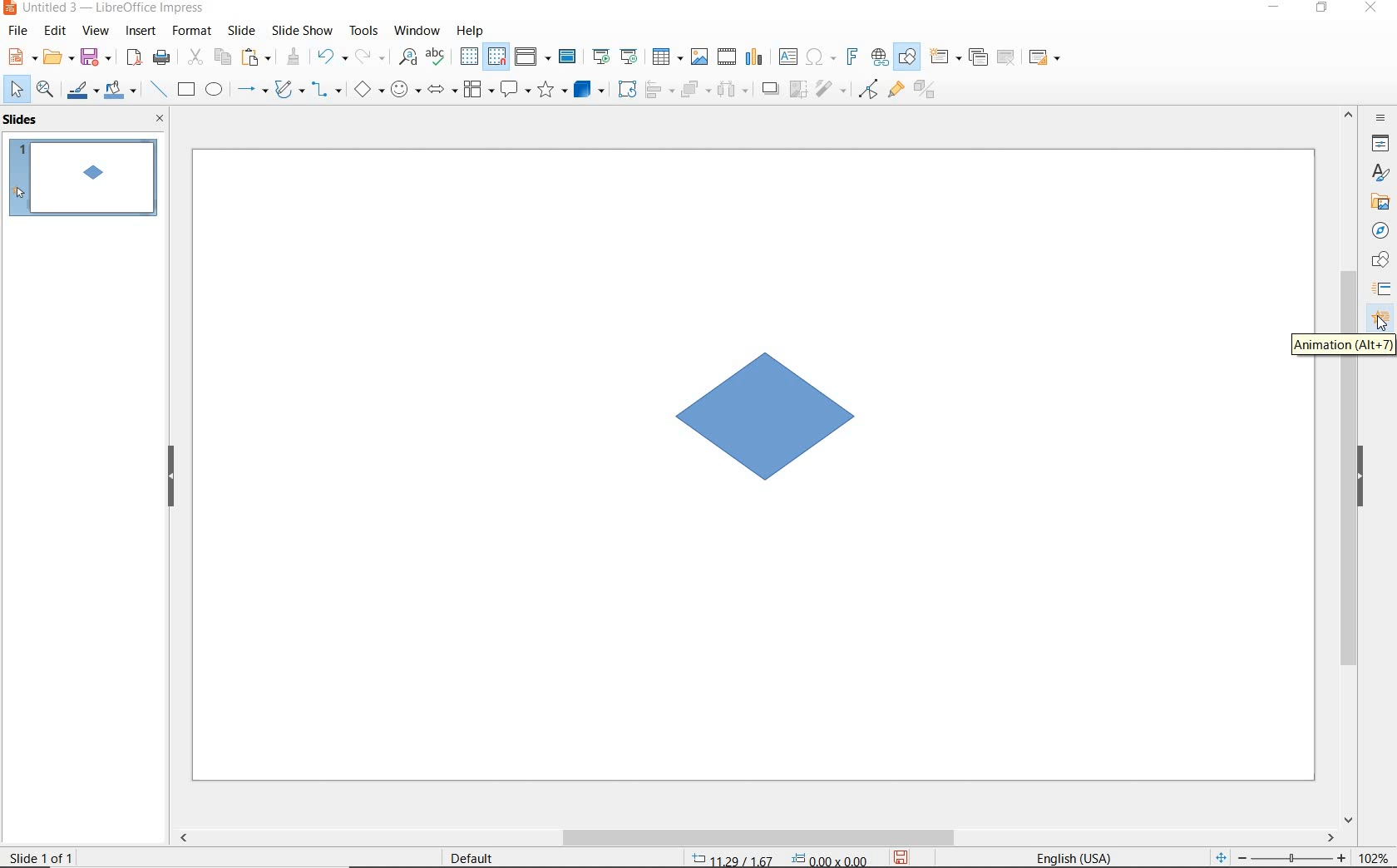 The height and width of the screenshot is (868, 1397). What do you see at coordinates (702, 57) in the screenshot?
I see `insert image` at bounding box center [702, 57].